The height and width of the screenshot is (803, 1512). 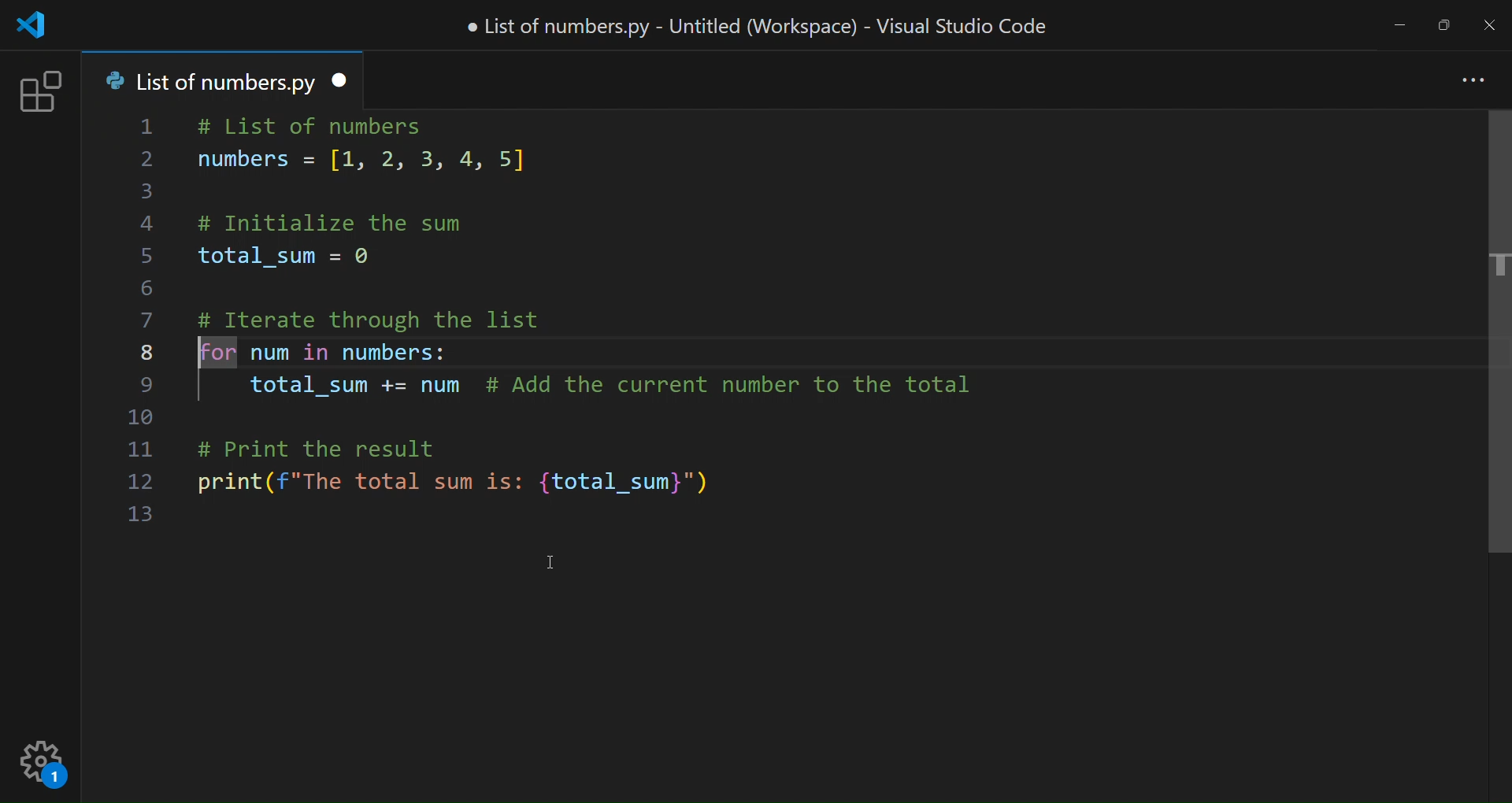 I want to click on setting, so click(x=47, y=757).